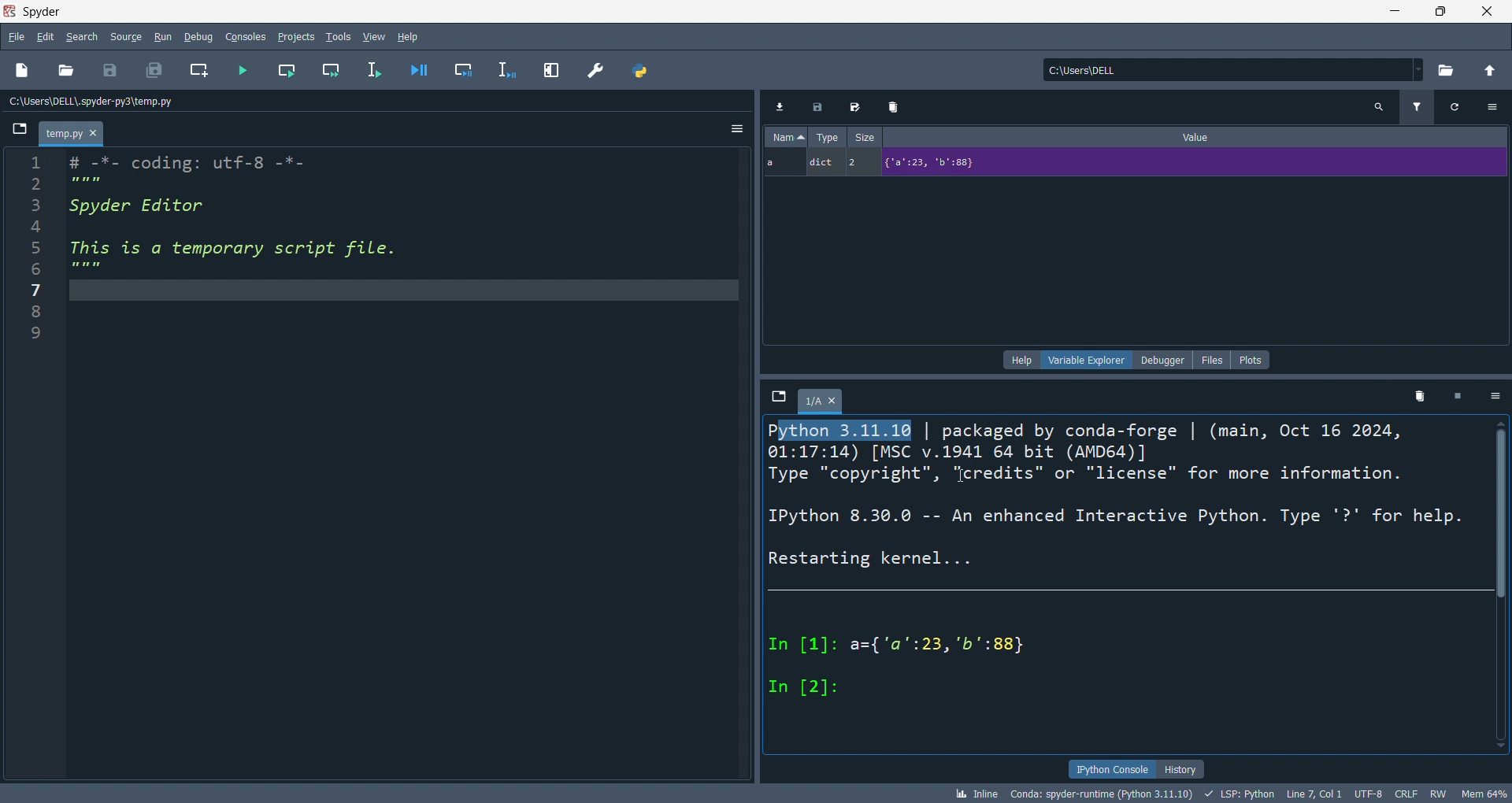 The width and height of the screenshot is (1512, 803). What do you see at coordinates (1437, 793) in the screenshot?
I see `rw` at bounding box center [1437, 793].